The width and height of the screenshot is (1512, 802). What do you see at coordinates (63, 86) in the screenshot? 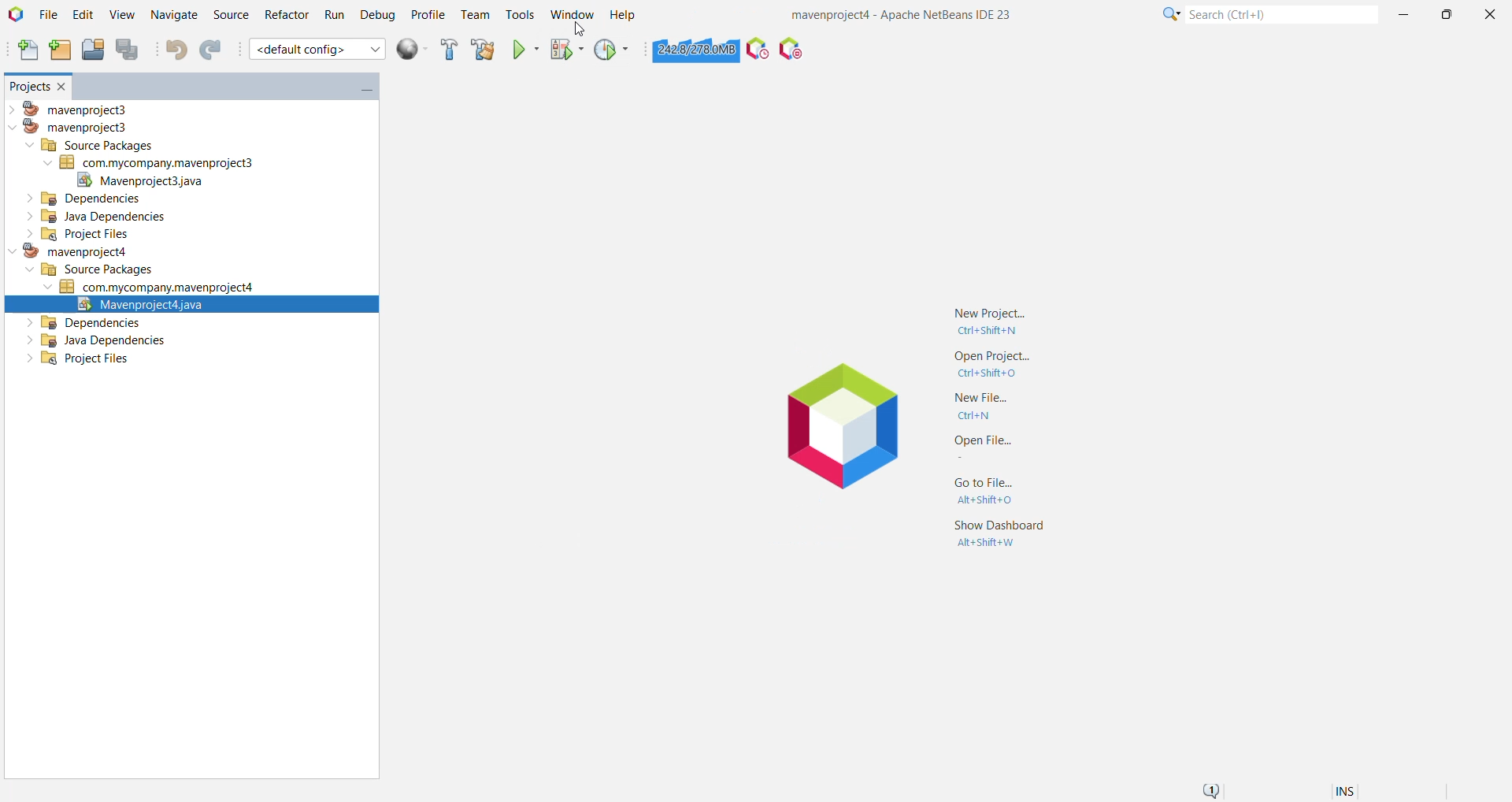
I see `Close Window` at bounding box center [63, 86].